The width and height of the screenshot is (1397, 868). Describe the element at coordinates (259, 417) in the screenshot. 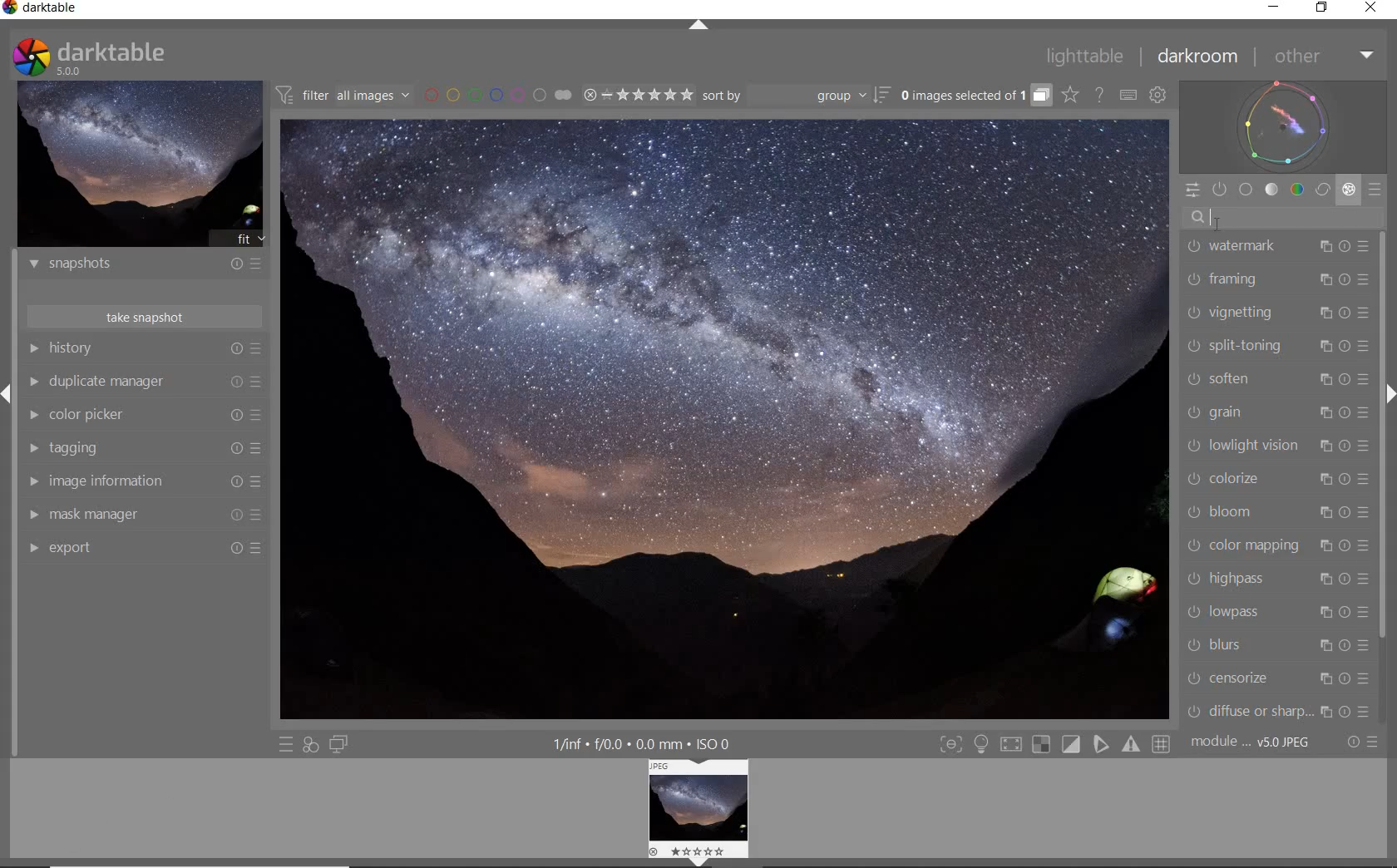

I see `Presets and preferences` at that location.